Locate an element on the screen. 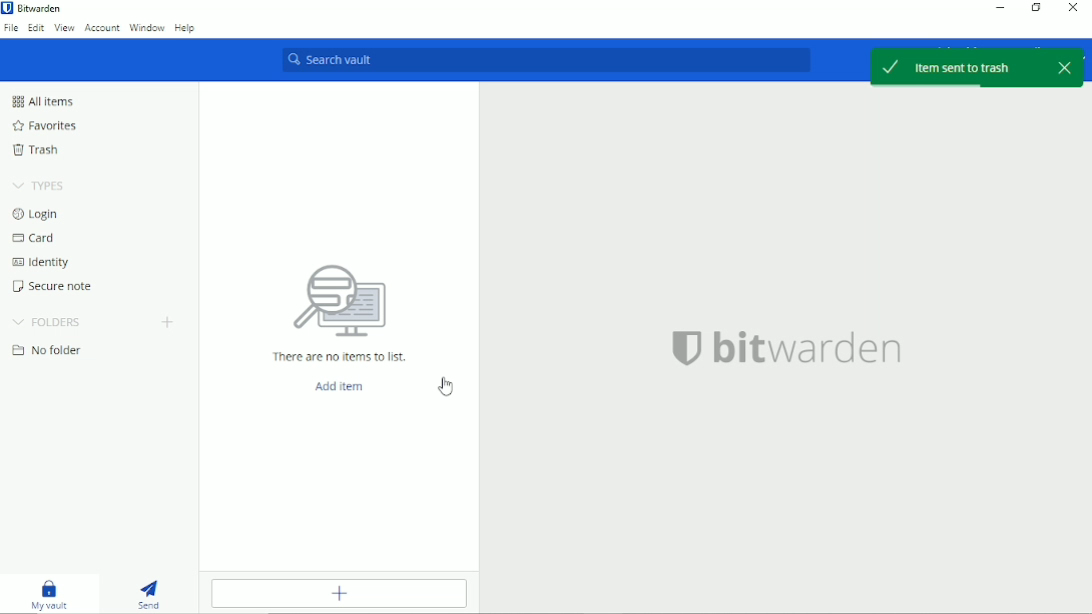 The image size is (1092, 614). Add item is located at coordinates (339, 386).